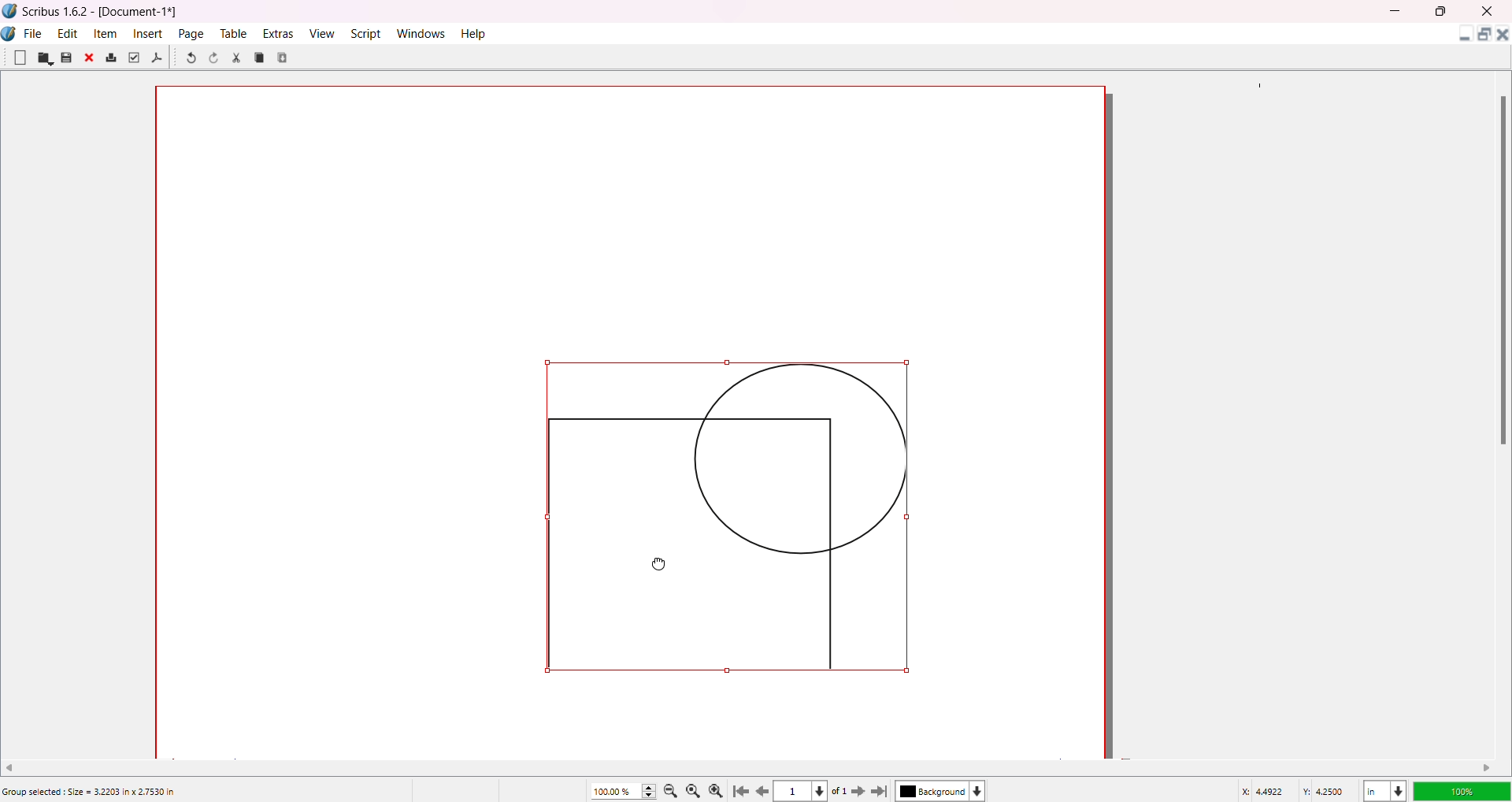 The width and height of the screenshot is (1512, 802). Describe the element at coordinates (321, 32) in the screenshot. I see `View` at that location.